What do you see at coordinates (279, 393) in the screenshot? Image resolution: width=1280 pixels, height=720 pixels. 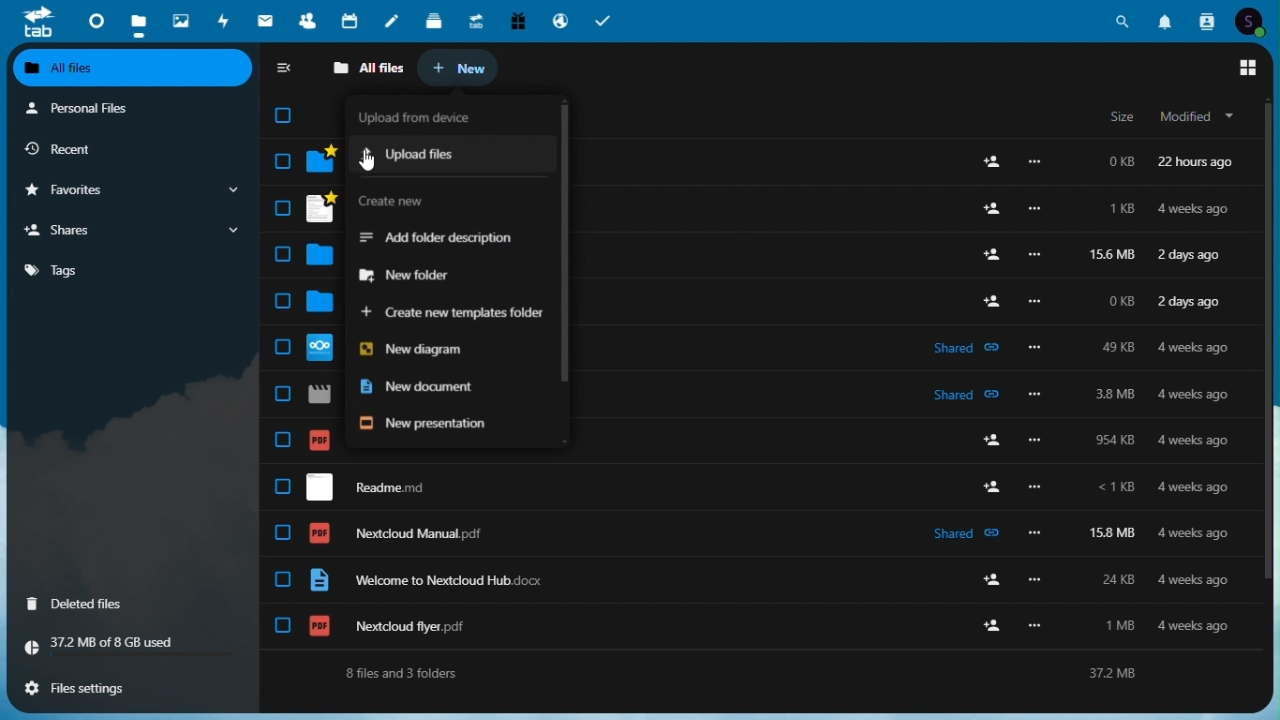 I see `check box` at bounding box center [279, 393].